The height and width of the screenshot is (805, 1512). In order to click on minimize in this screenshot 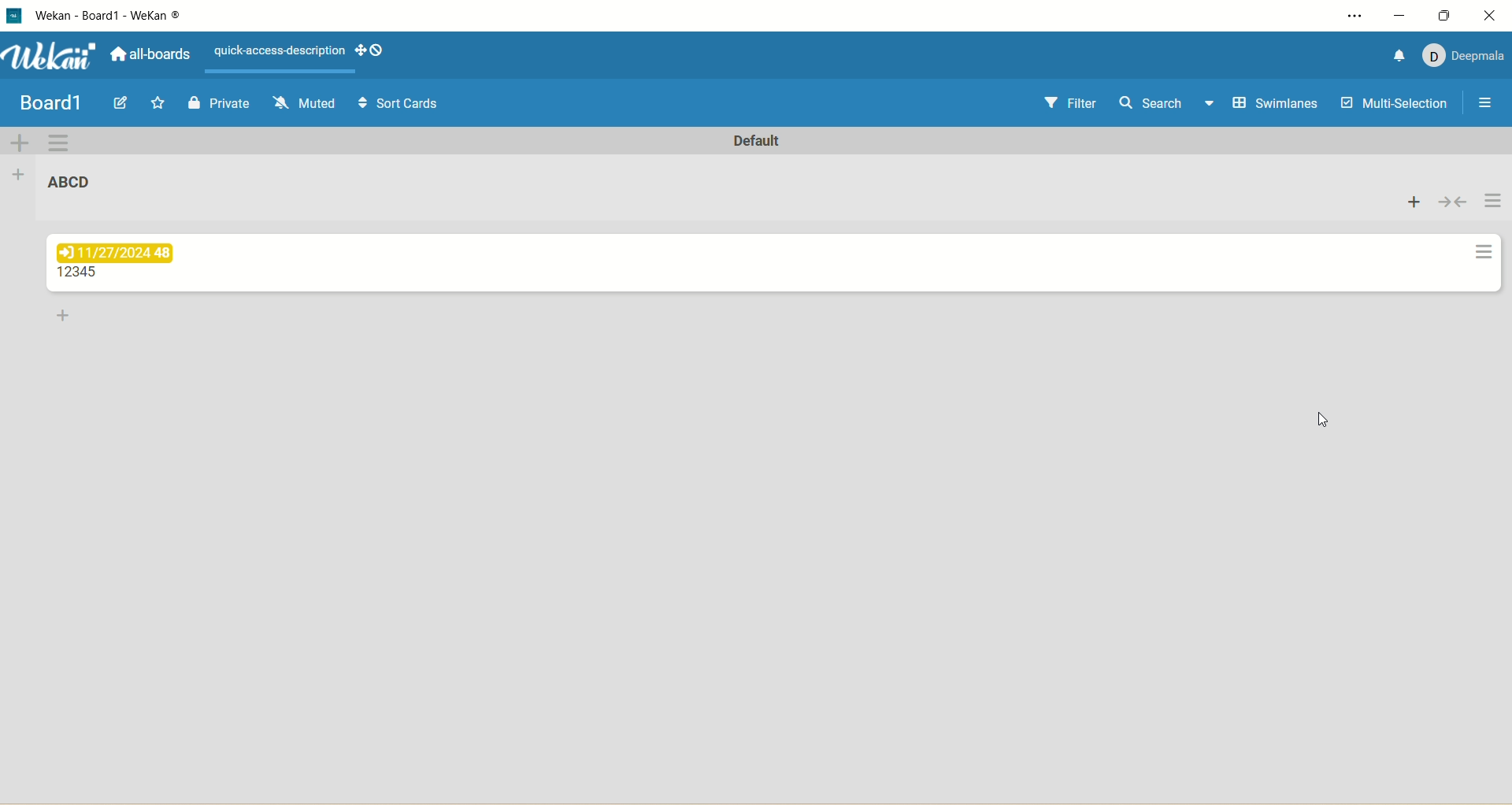, I will do `click(1401, 17)`.